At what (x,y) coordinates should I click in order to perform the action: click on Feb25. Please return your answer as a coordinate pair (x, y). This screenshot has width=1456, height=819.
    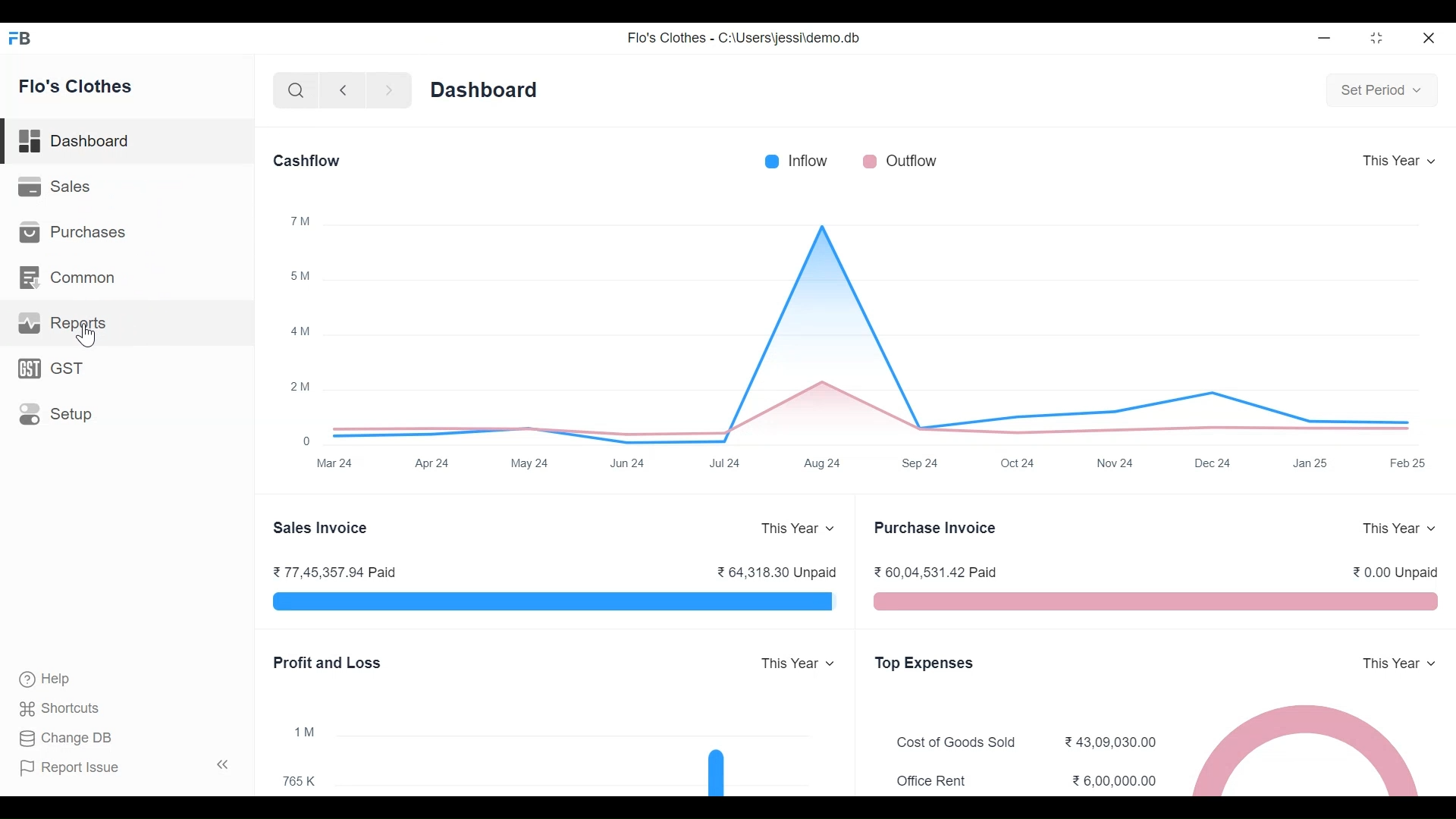
    Looking at the image, I should click on (1408, 462).